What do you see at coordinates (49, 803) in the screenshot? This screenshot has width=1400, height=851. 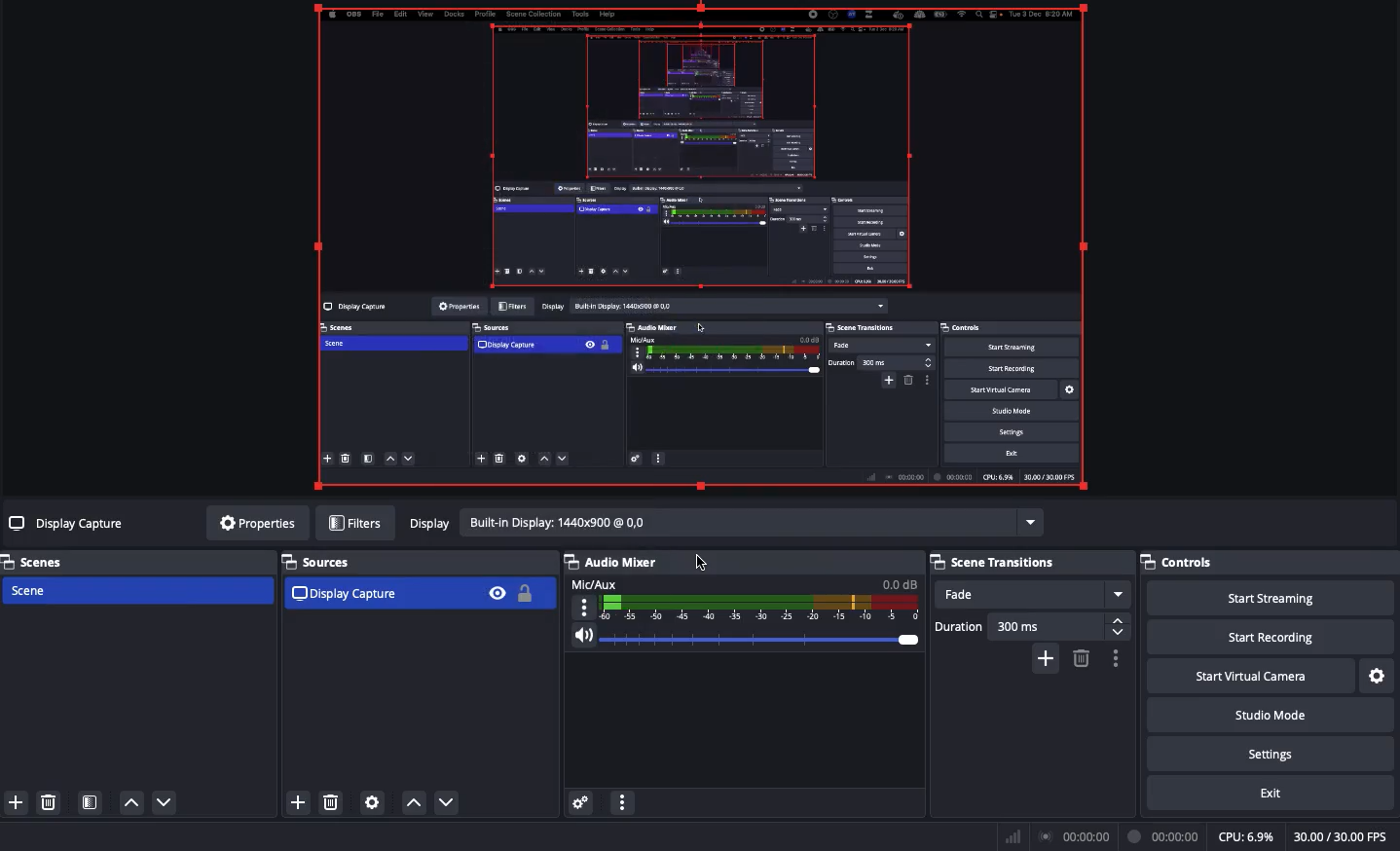 I see `Delete` at bounding box center [49, 803].